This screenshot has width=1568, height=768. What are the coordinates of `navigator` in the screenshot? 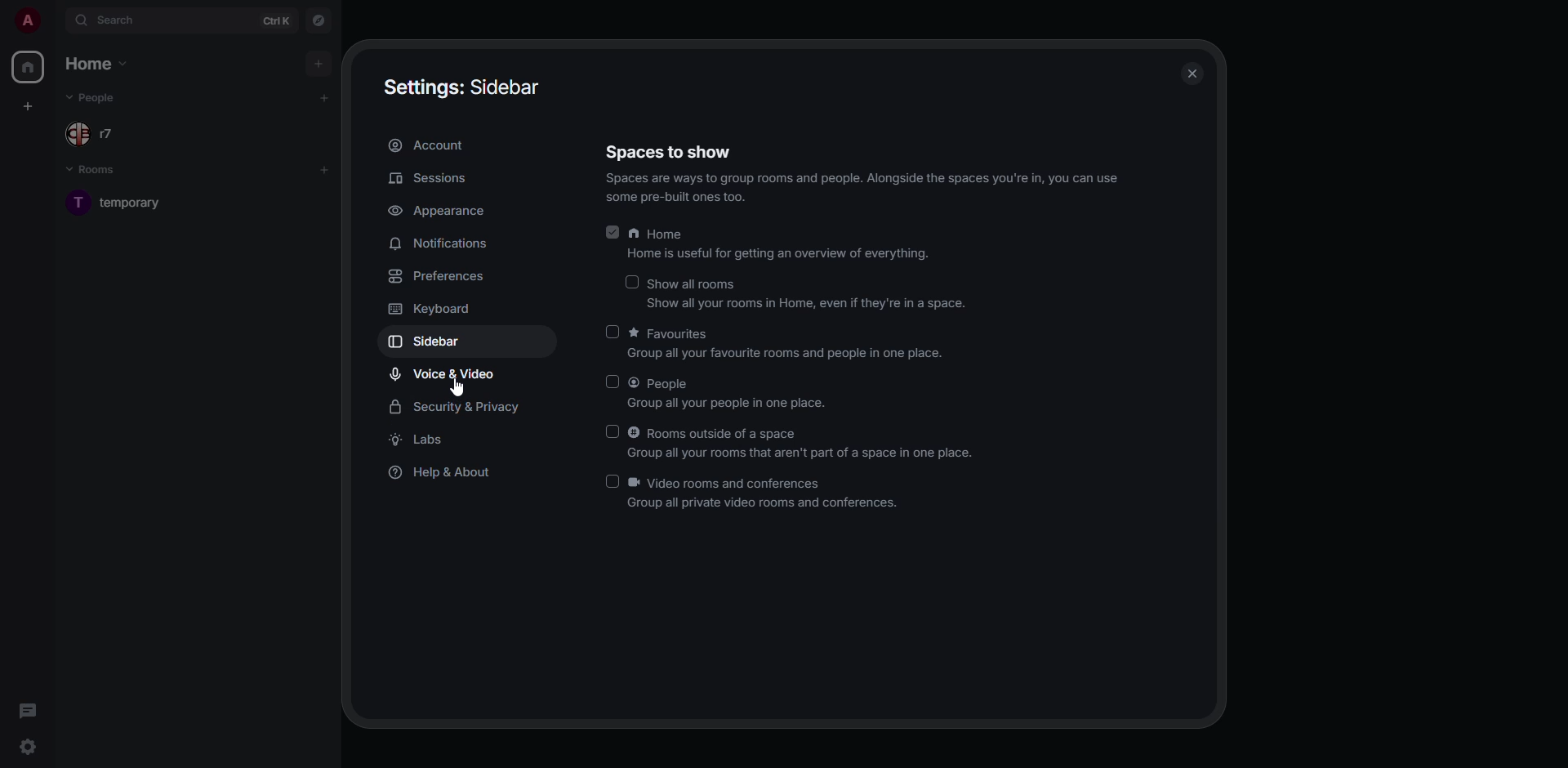 It's located at (317, 20).